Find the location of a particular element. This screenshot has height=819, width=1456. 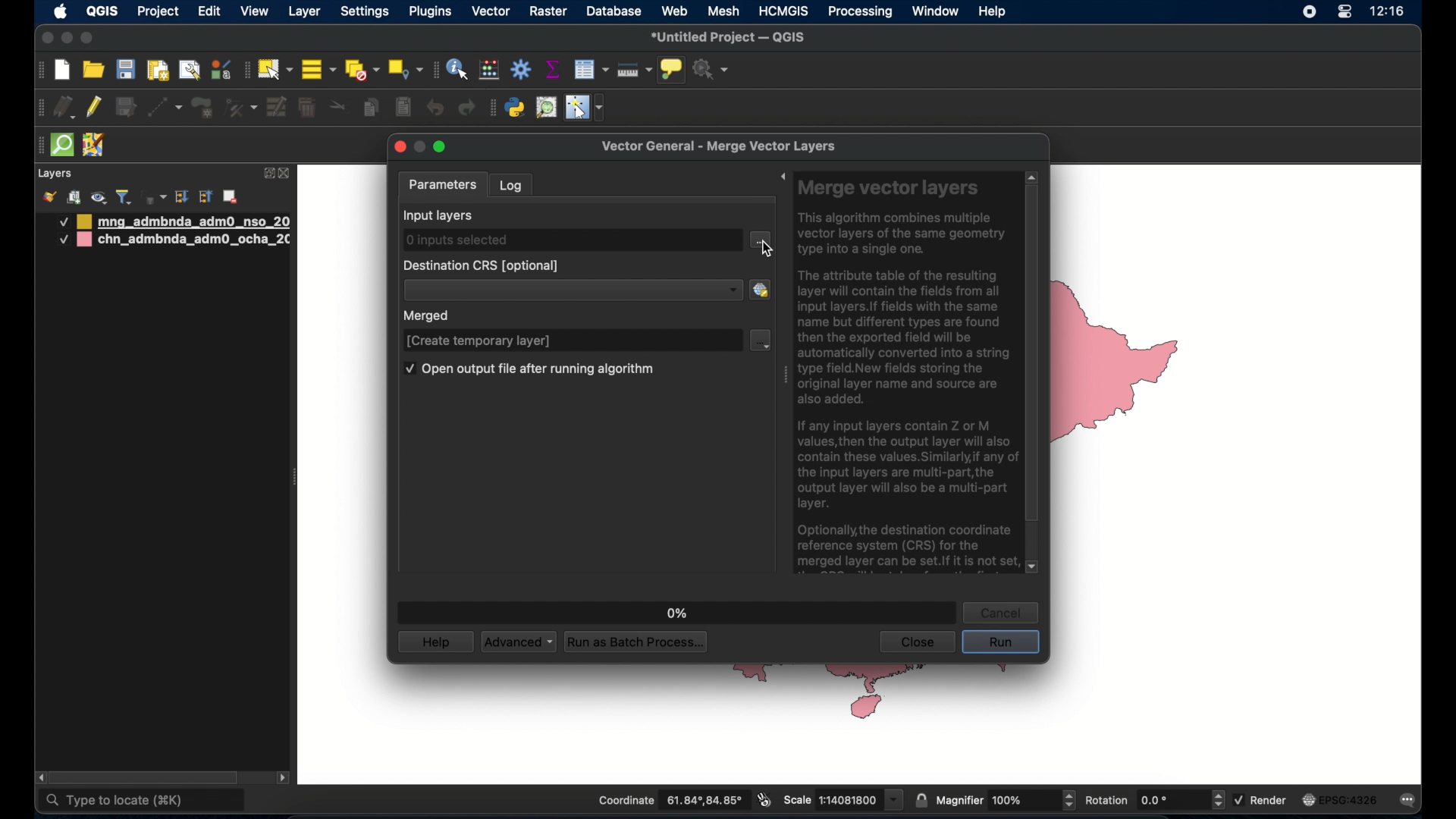

redo is located at coordinates (466, 108).